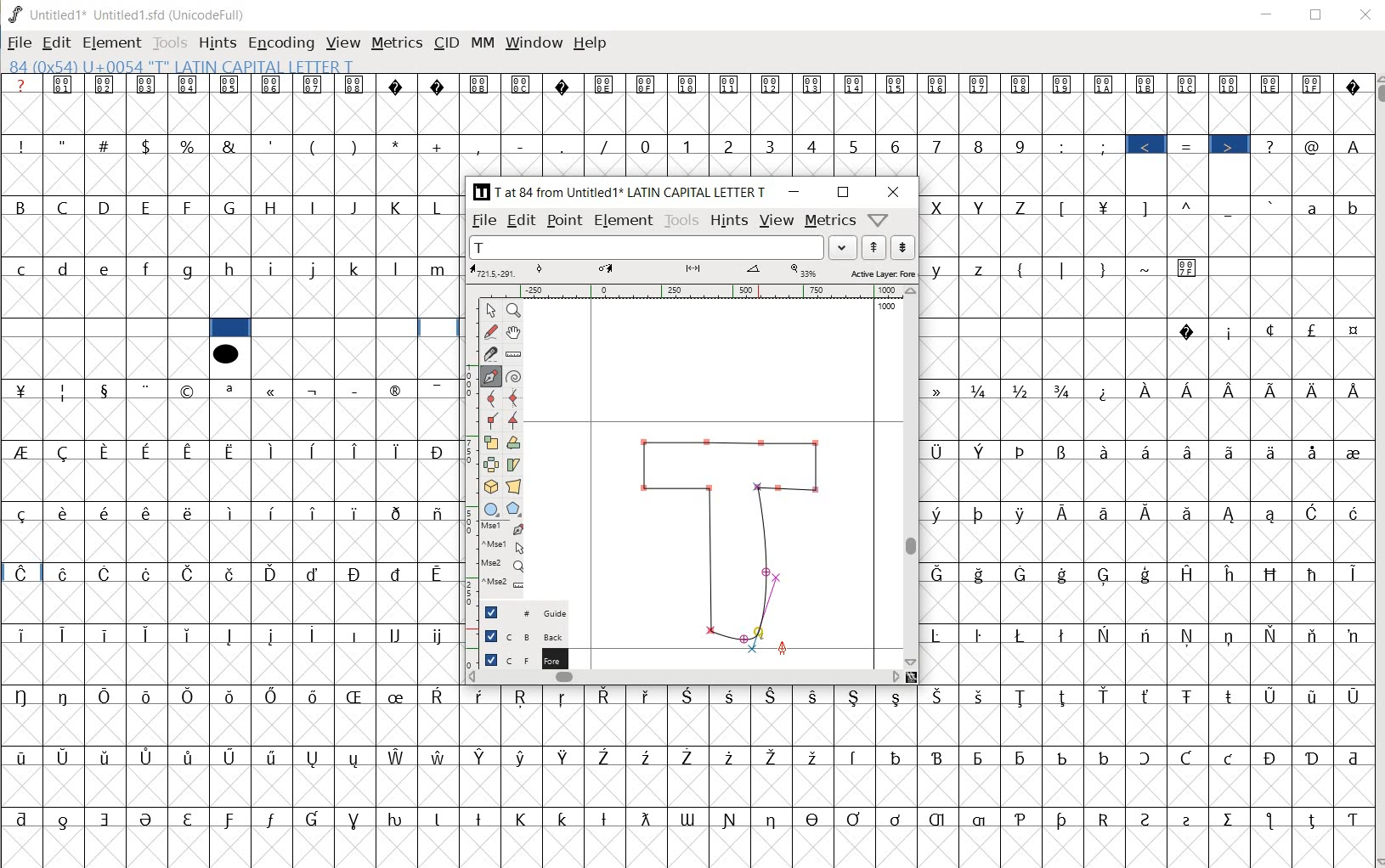 This screenshot has width=1385, height=868. I want to click on #, so click(105, 146).